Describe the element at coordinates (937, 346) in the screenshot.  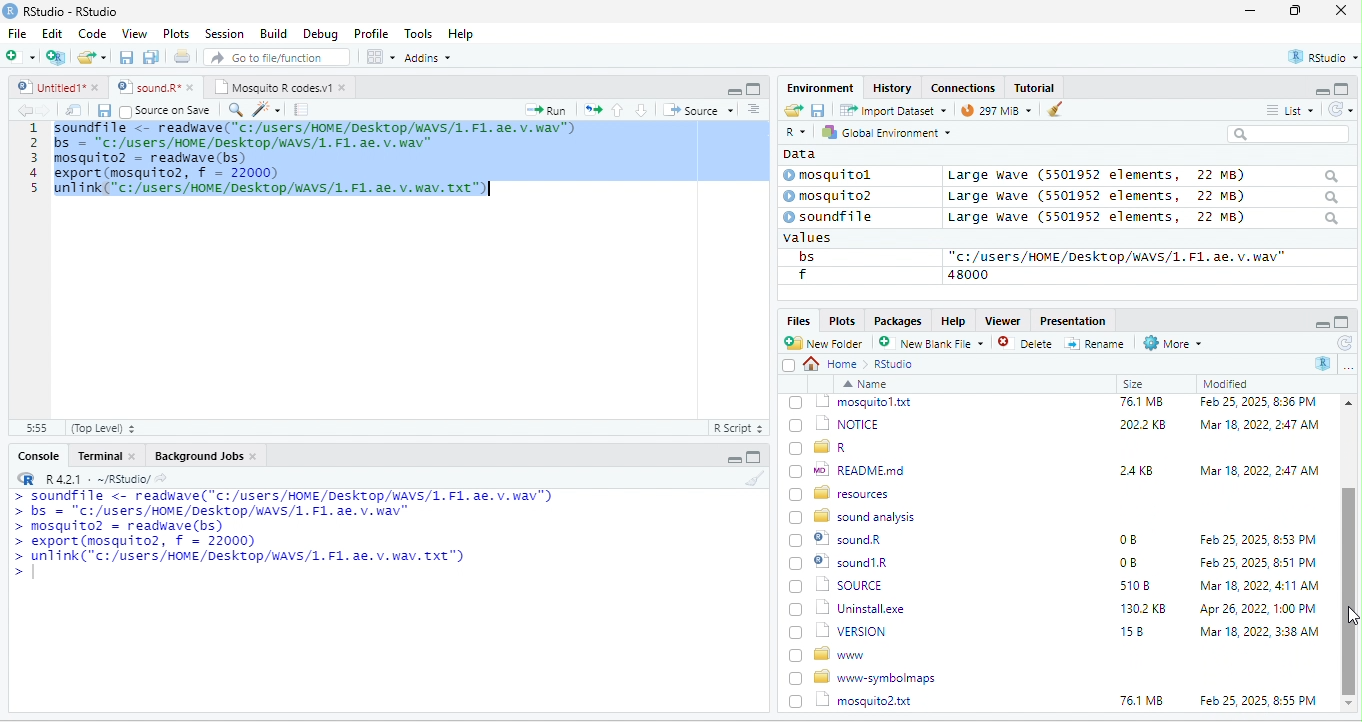
I see `’ New blank File` at that location.